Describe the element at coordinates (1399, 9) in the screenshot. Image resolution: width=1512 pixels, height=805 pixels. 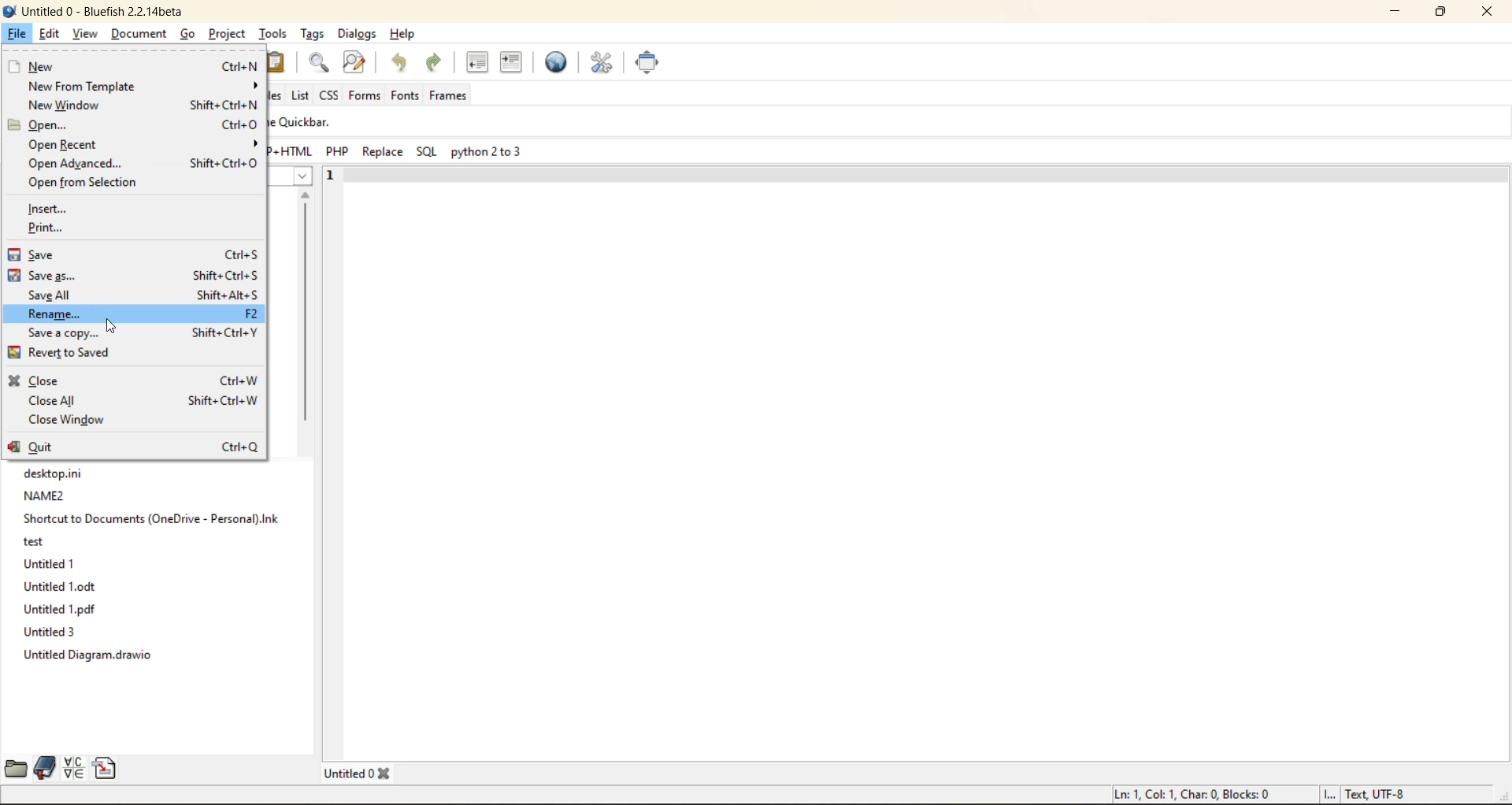
I see `minimize` at that location.